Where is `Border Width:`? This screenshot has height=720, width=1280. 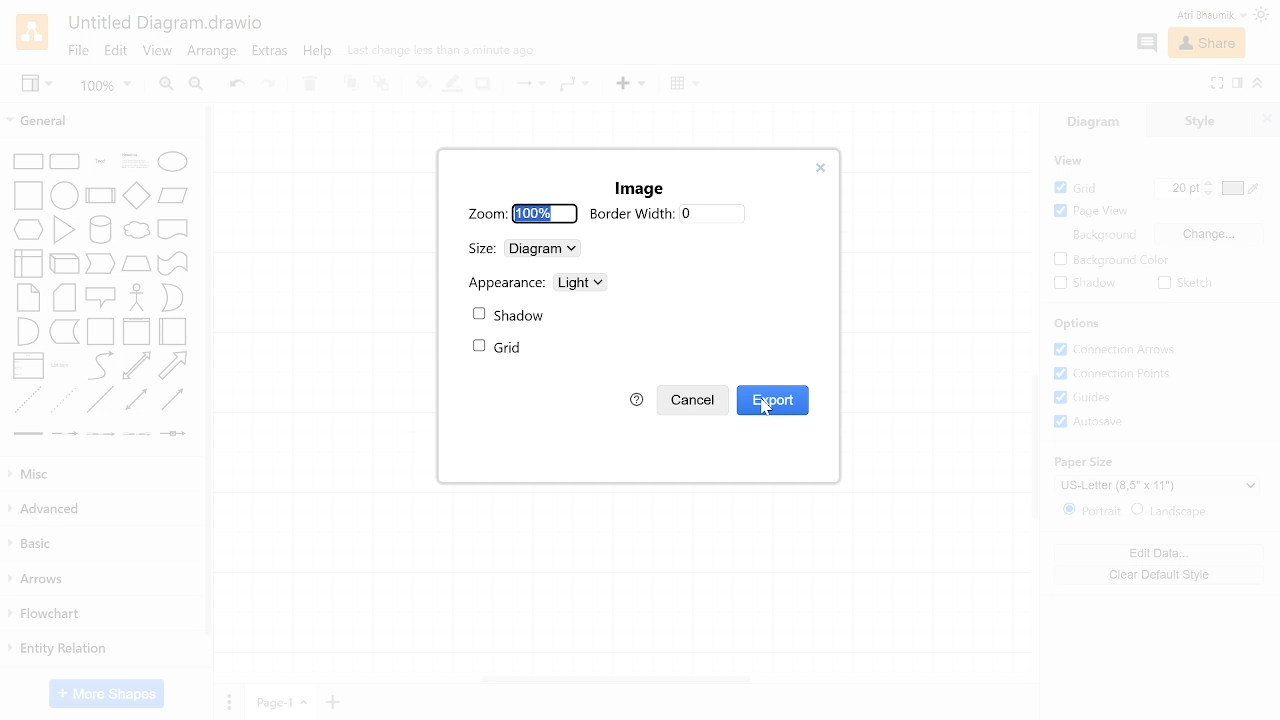
Border Width: is located at coordinates (631, 212).